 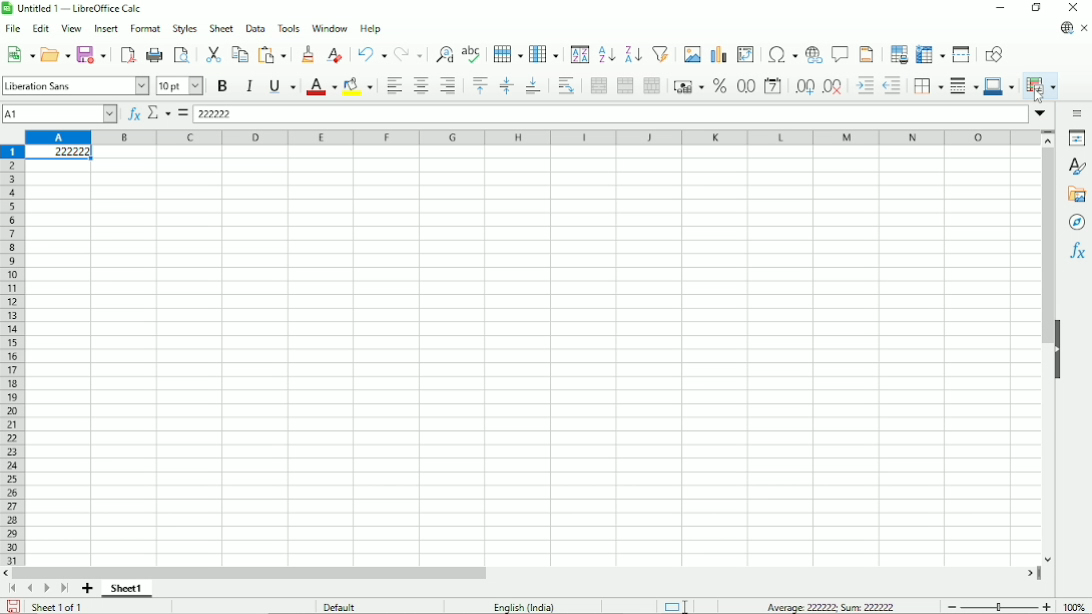 What do you see at coordinates (864, 86) in the screenshot?
I see `Increase indent` at bounding box center [864, 86].